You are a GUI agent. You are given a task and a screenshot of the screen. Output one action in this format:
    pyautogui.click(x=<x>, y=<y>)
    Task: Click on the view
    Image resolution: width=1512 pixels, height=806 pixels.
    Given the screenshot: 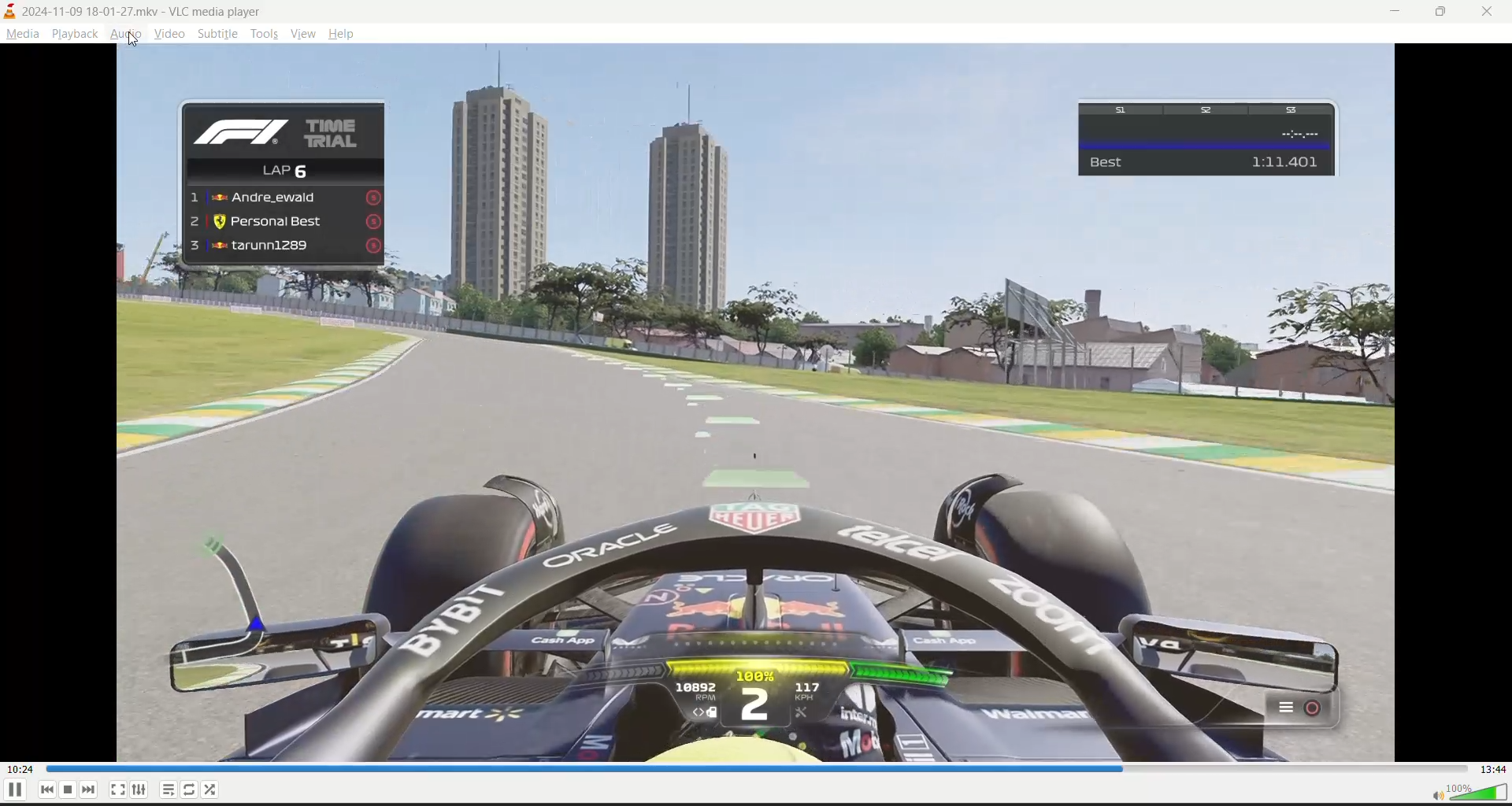 What is the action you would take?
    pyautogui.click(x=302, y=35)
    